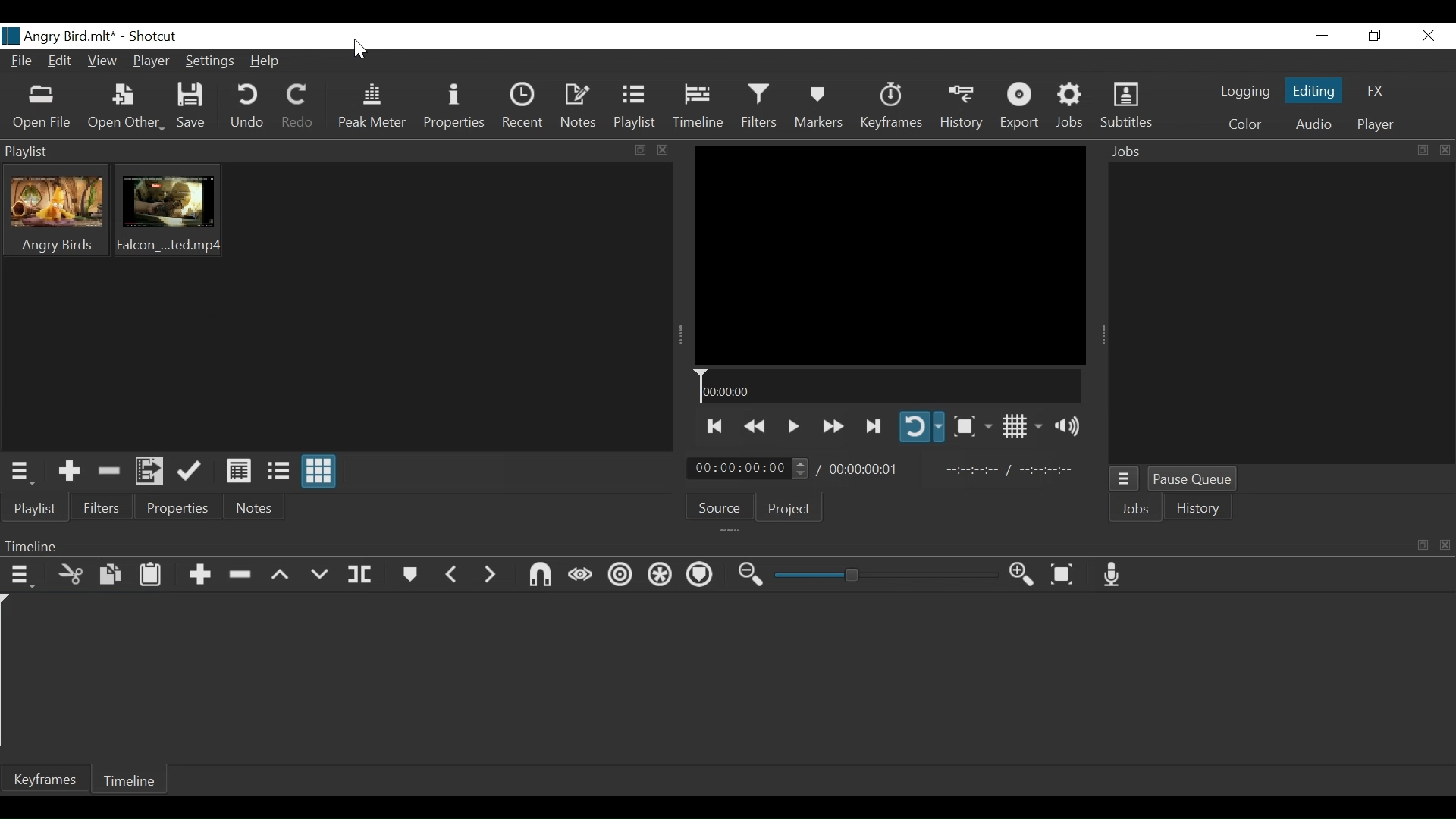 This screenshot has width=1456, height=819. What do you see at coordinates (152, 576) in the screenshot?
I see `Paste` at bounding box center [152, 576].